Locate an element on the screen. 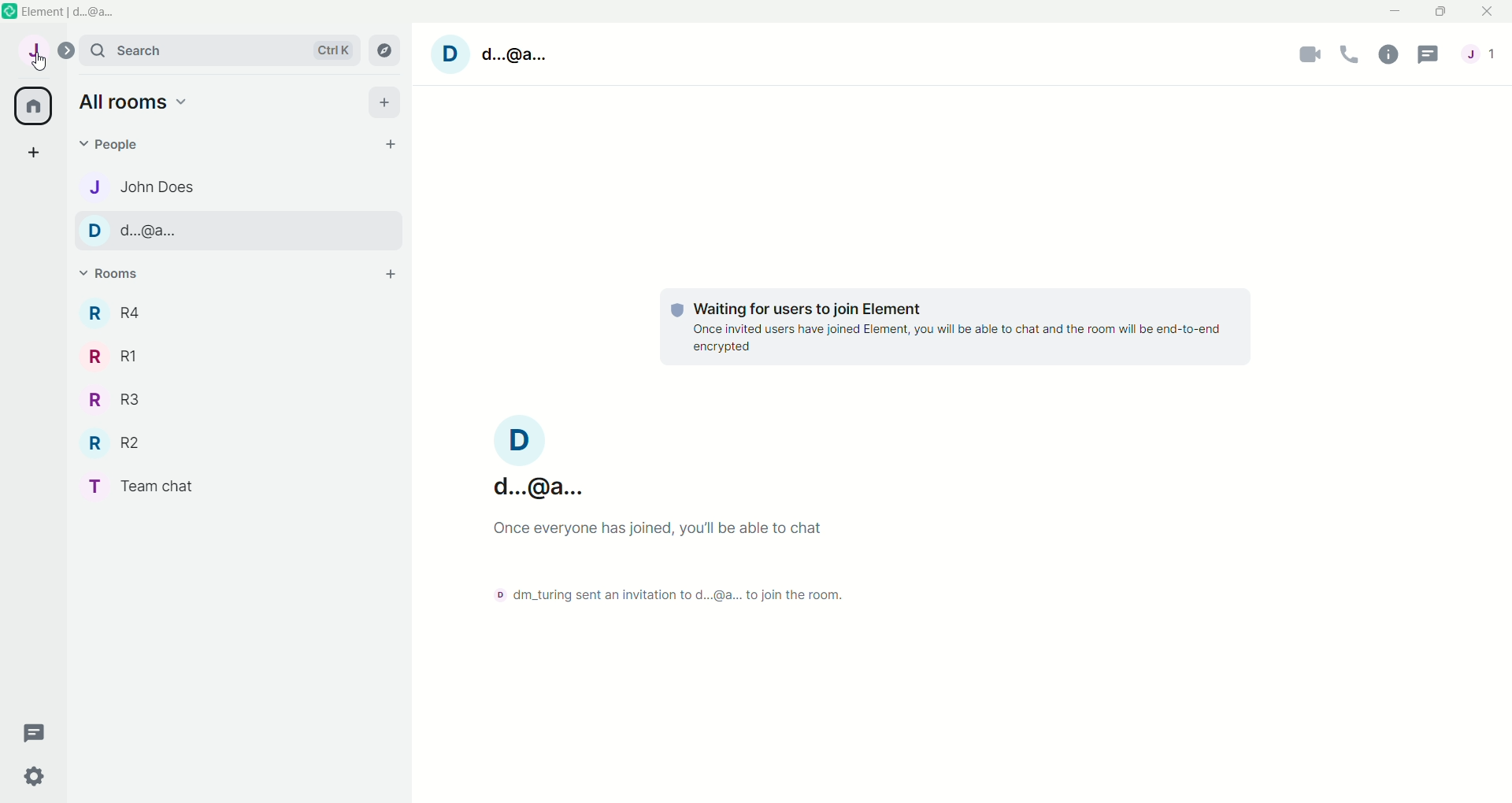  Room Team chat is located at coordinates (138, 486).